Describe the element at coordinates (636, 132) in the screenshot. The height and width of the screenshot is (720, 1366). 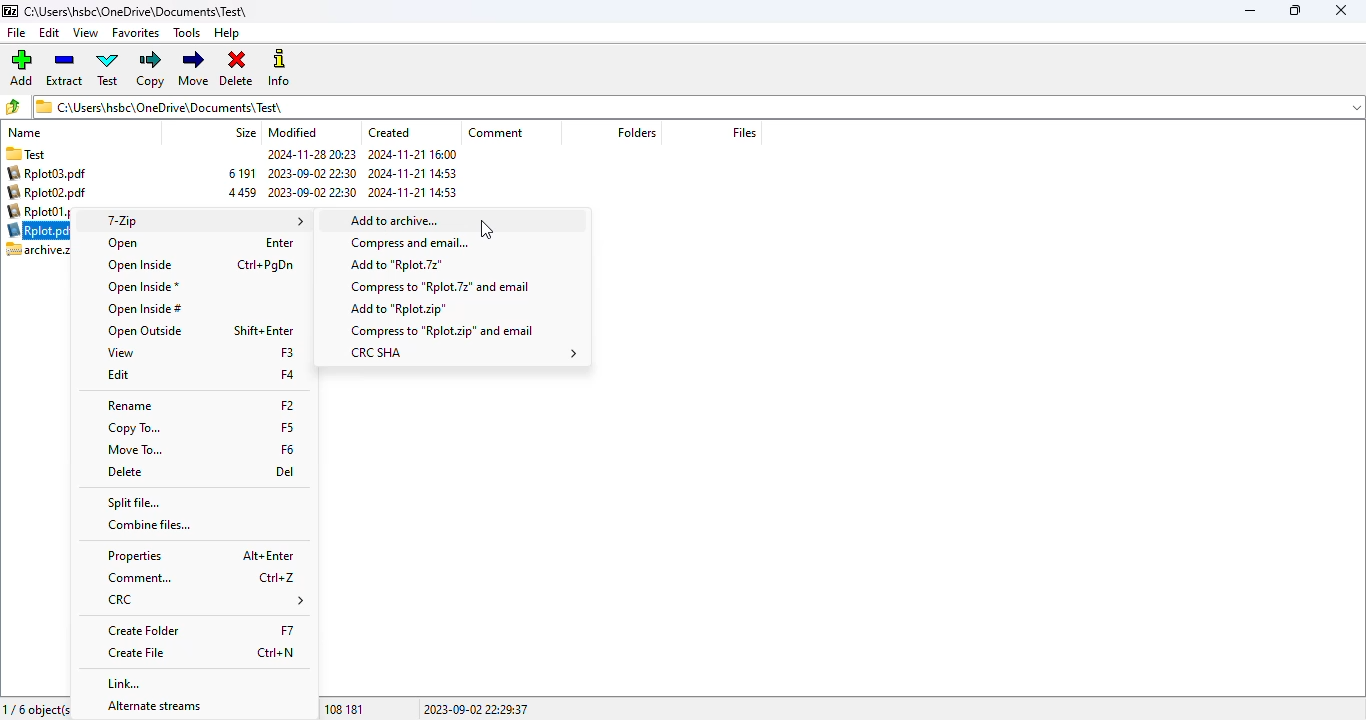
I see `folders` at that location.